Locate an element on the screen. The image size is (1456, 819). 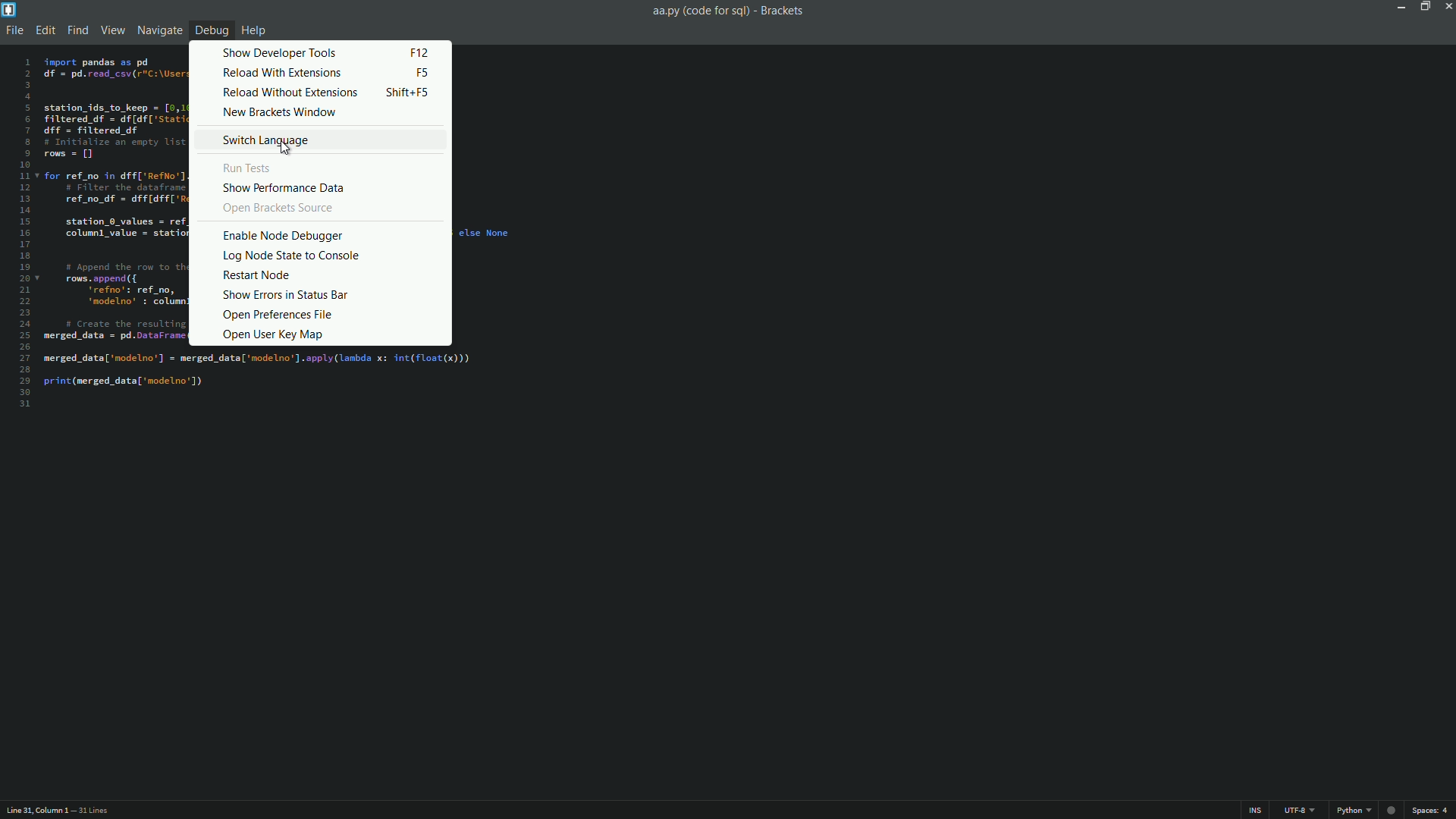
help menu is located at coordinates (256, 31).